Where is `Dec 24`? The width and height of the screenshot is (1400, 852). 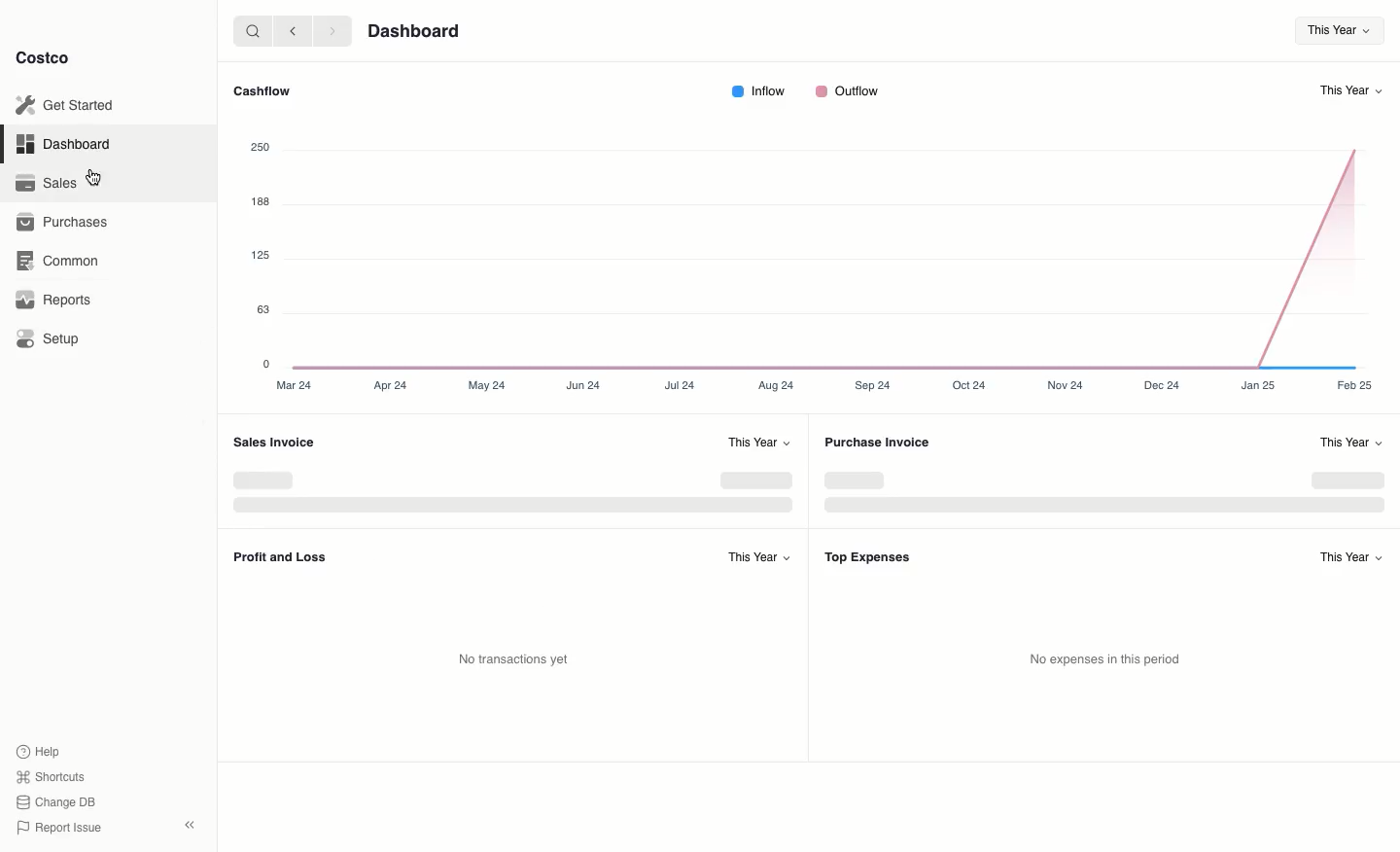
Dec 24 is located at coordinates (1164, 384).